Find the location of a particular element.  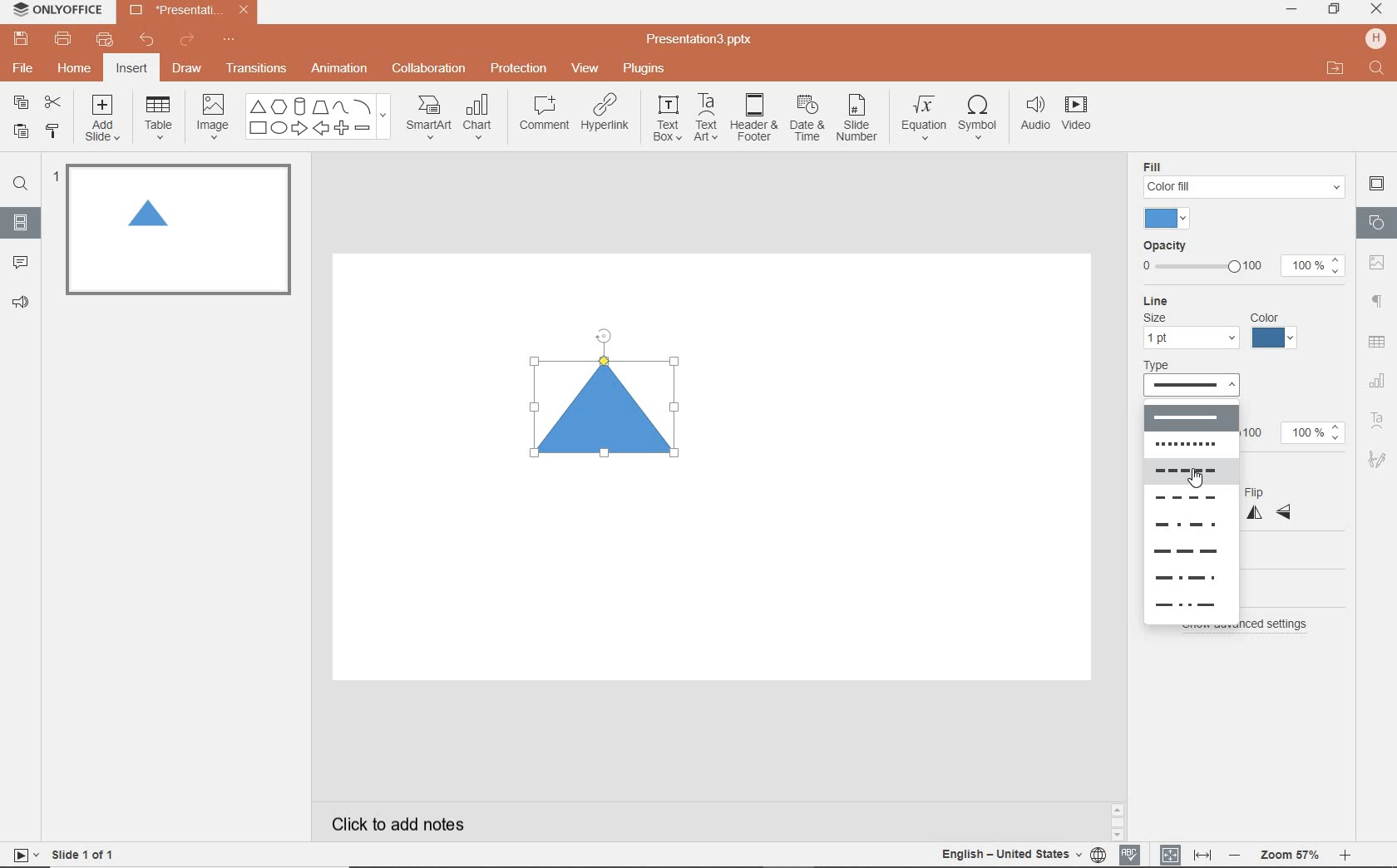

SAVE is located at coordinates (23, 37).